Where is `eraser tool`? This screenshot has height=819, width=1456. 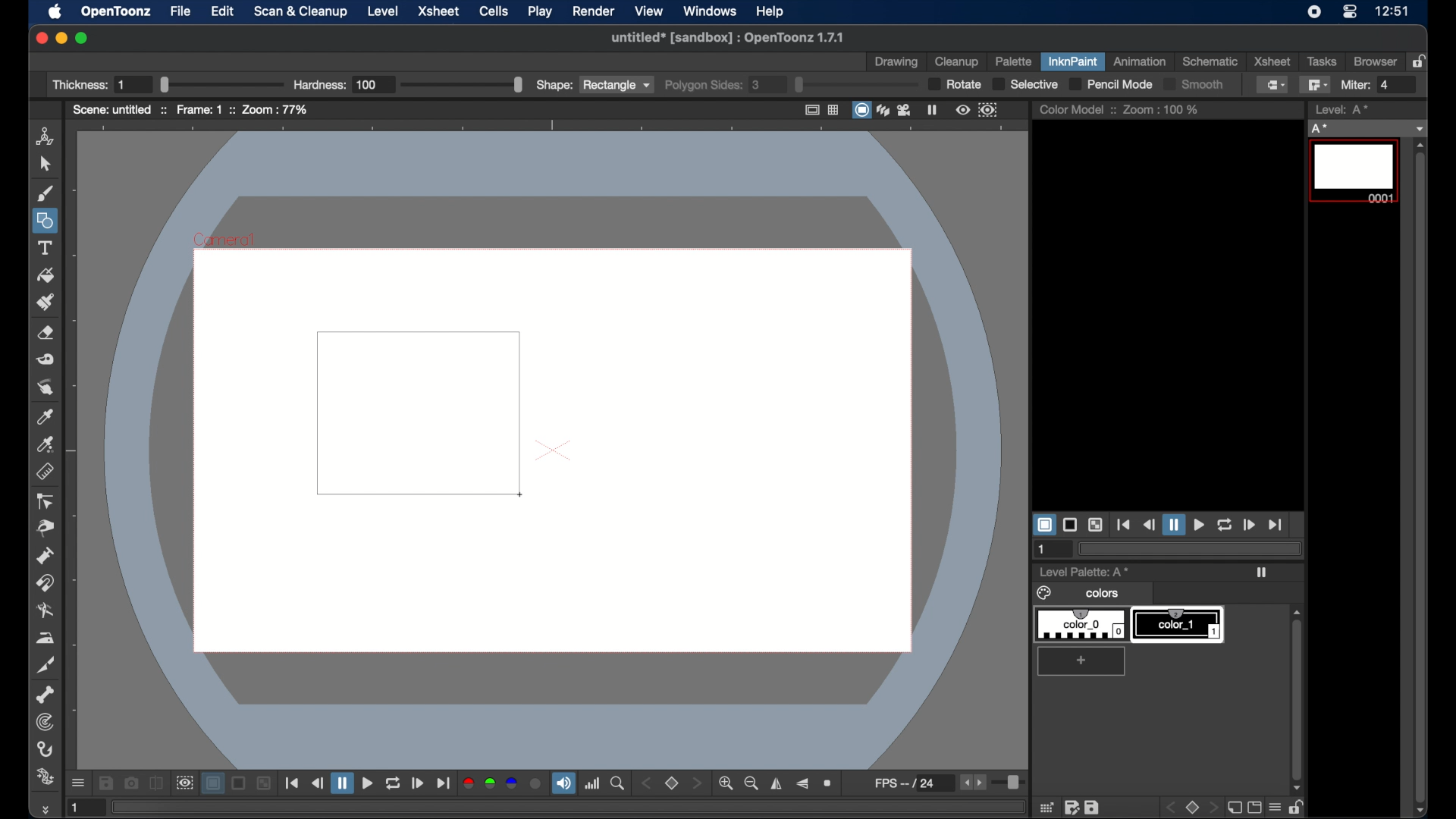 eraser tool is located at coordinates (45, 333).